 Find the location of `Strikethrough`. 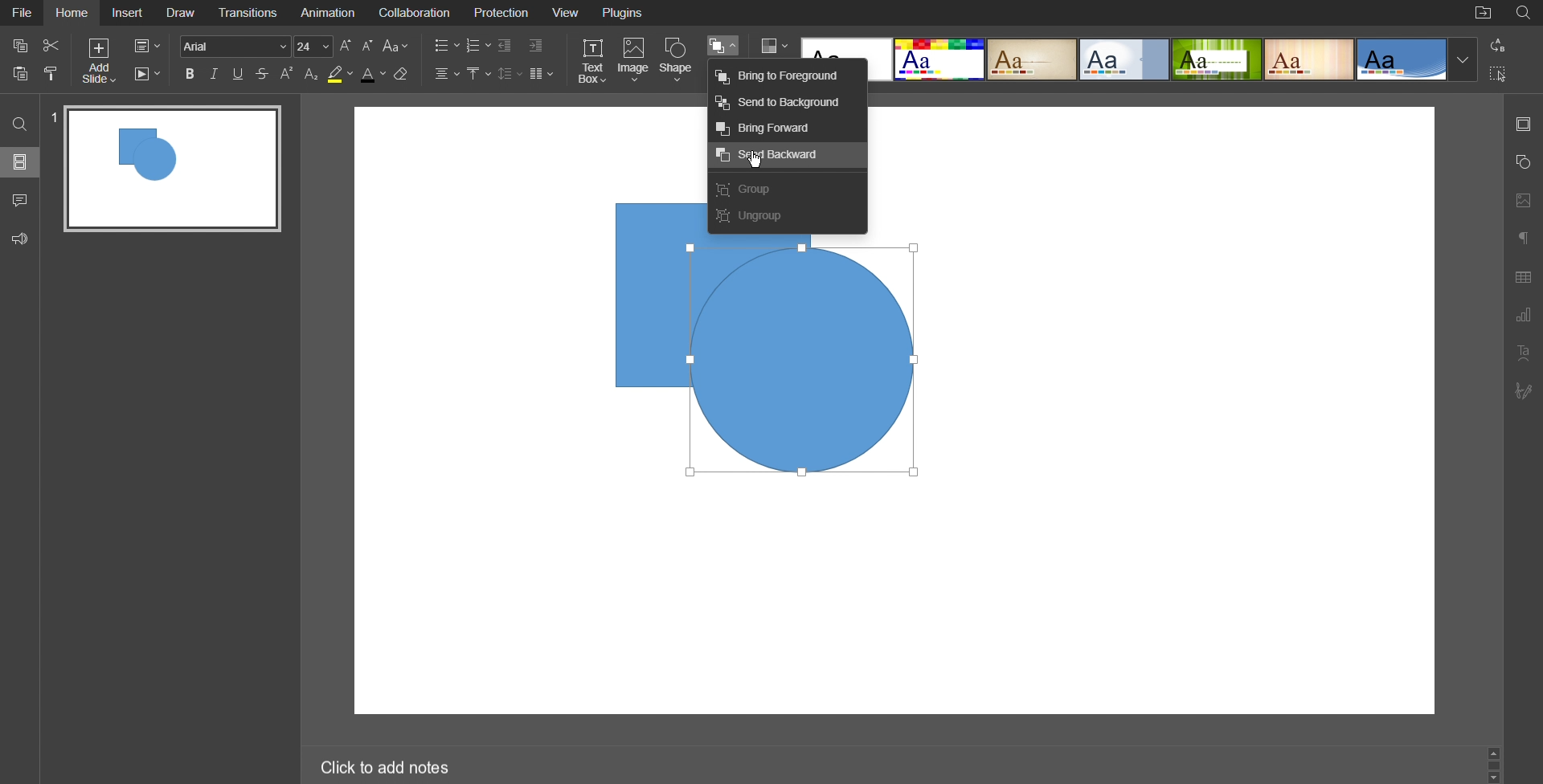

Strikethrough is located at coordinates (262, 74).